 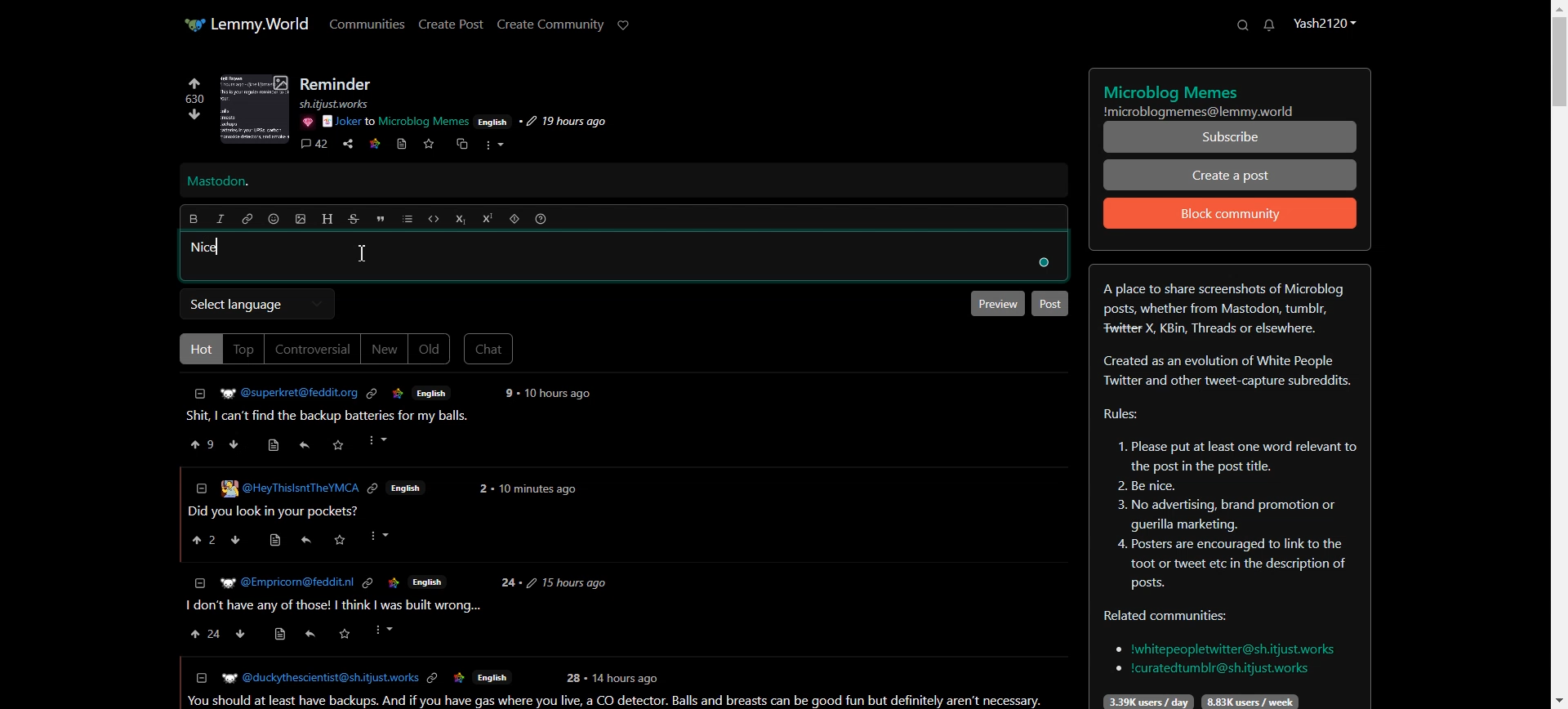 What do you see at coordinates (541, 219) in the screenshot?
I see `Formatting help` at bounding box center [541, 219].